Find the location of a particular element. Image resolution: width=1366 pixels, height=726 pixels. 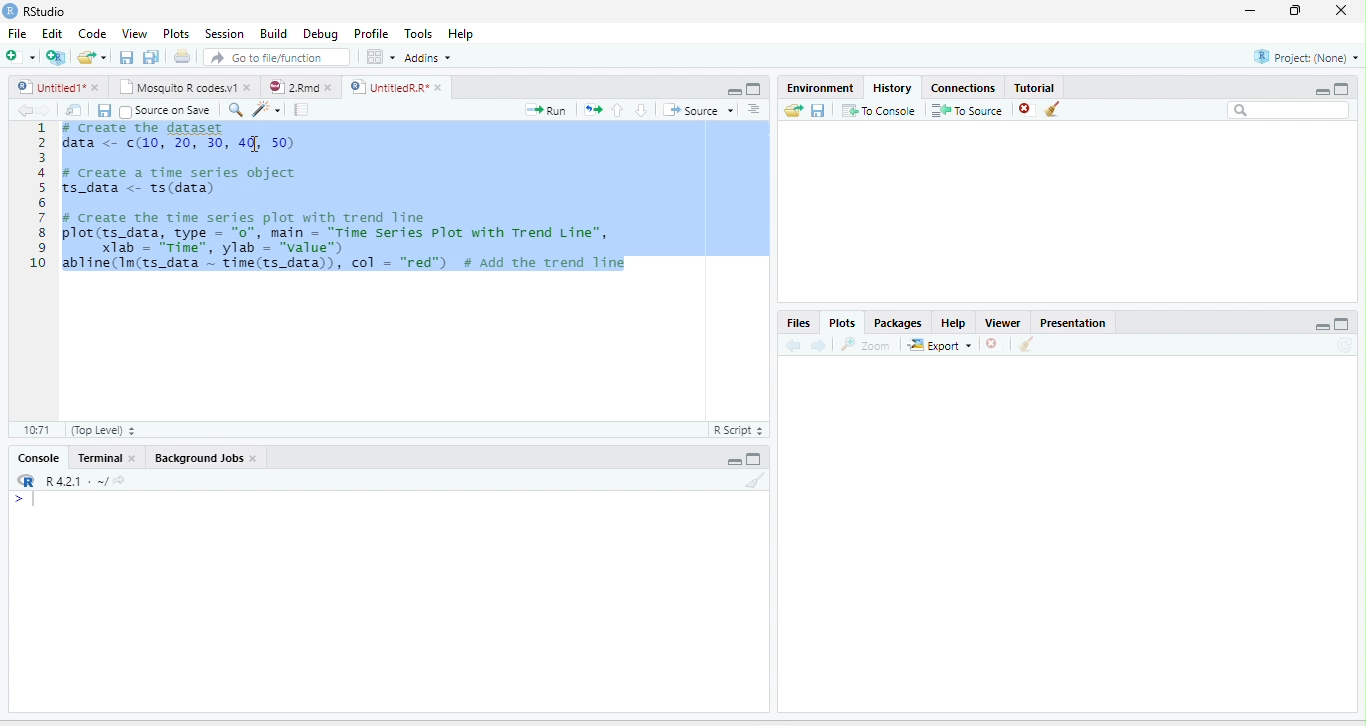

Remove the selected history entries is located at coordinates (1026, 109).